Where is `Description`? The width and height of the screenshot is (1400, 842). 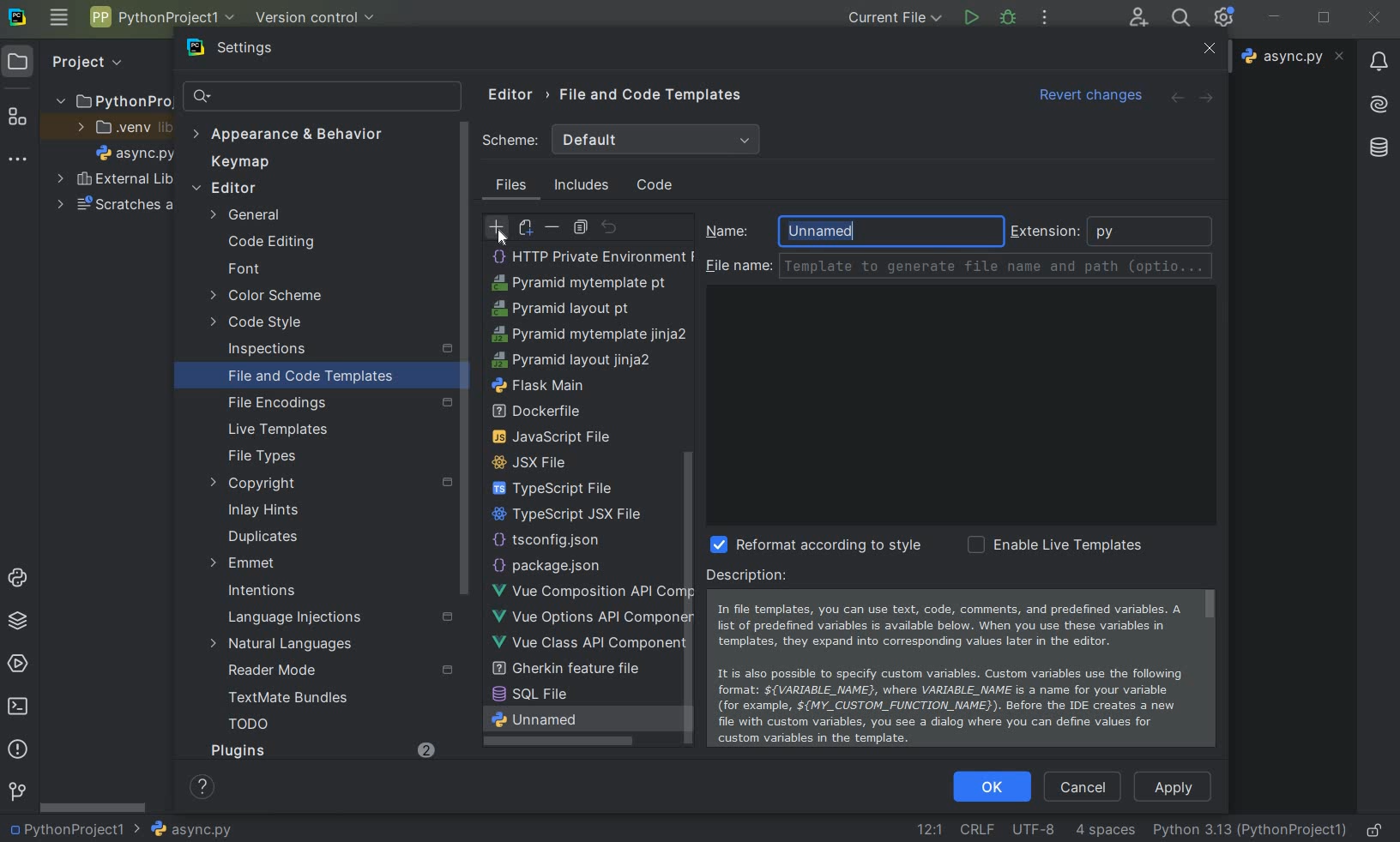 Description is located at coordinates (958, 660).